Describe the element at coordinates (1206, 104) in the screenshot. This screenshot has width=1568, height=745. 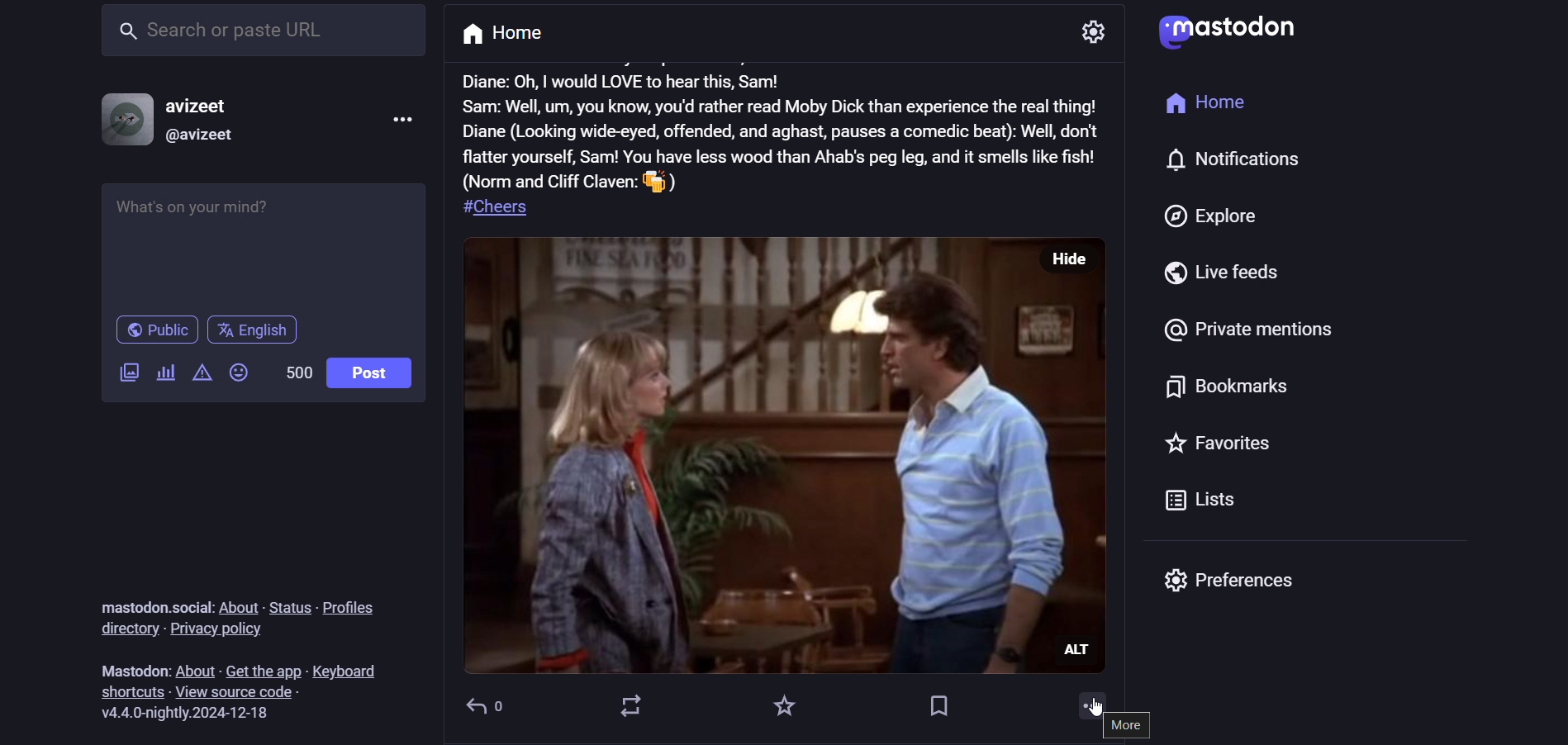
I see `home` at that location.